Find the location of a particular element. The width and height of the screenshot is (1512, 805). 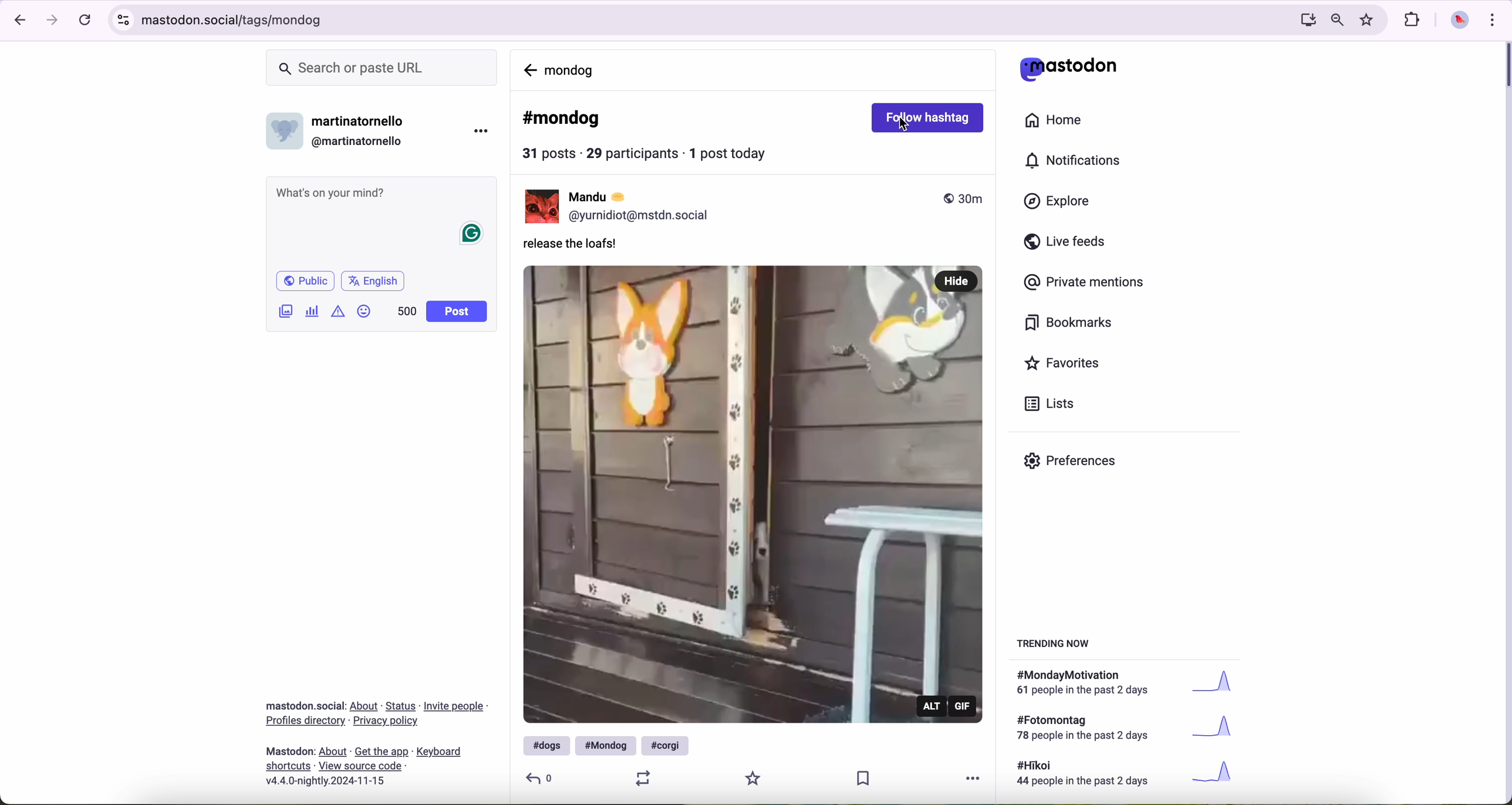

Mandu profile is located at coordinates (539, 207).